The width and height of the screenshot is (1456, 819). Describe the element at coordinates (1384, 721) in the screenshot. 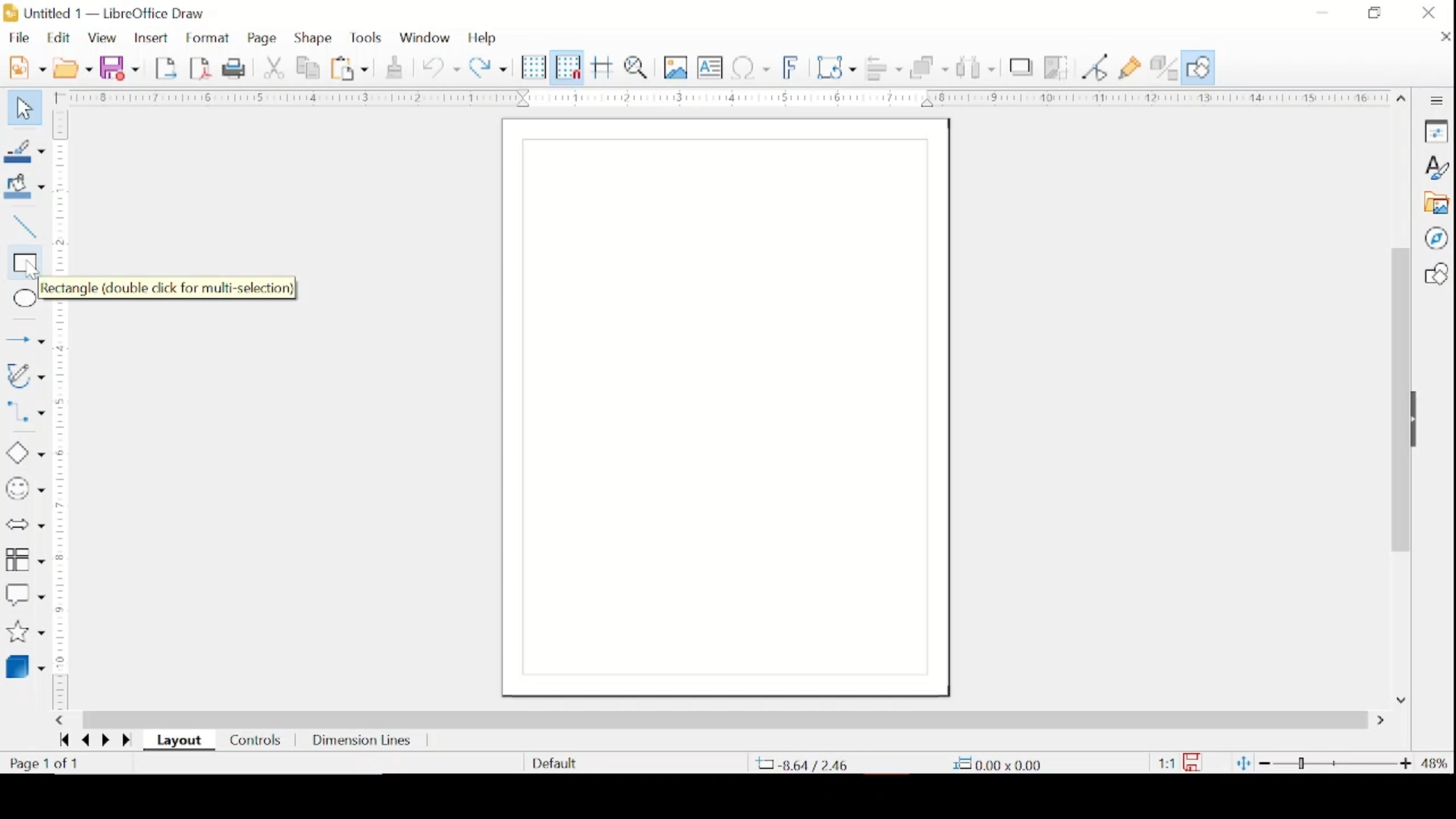

I see `scroll right arrow` at that location.